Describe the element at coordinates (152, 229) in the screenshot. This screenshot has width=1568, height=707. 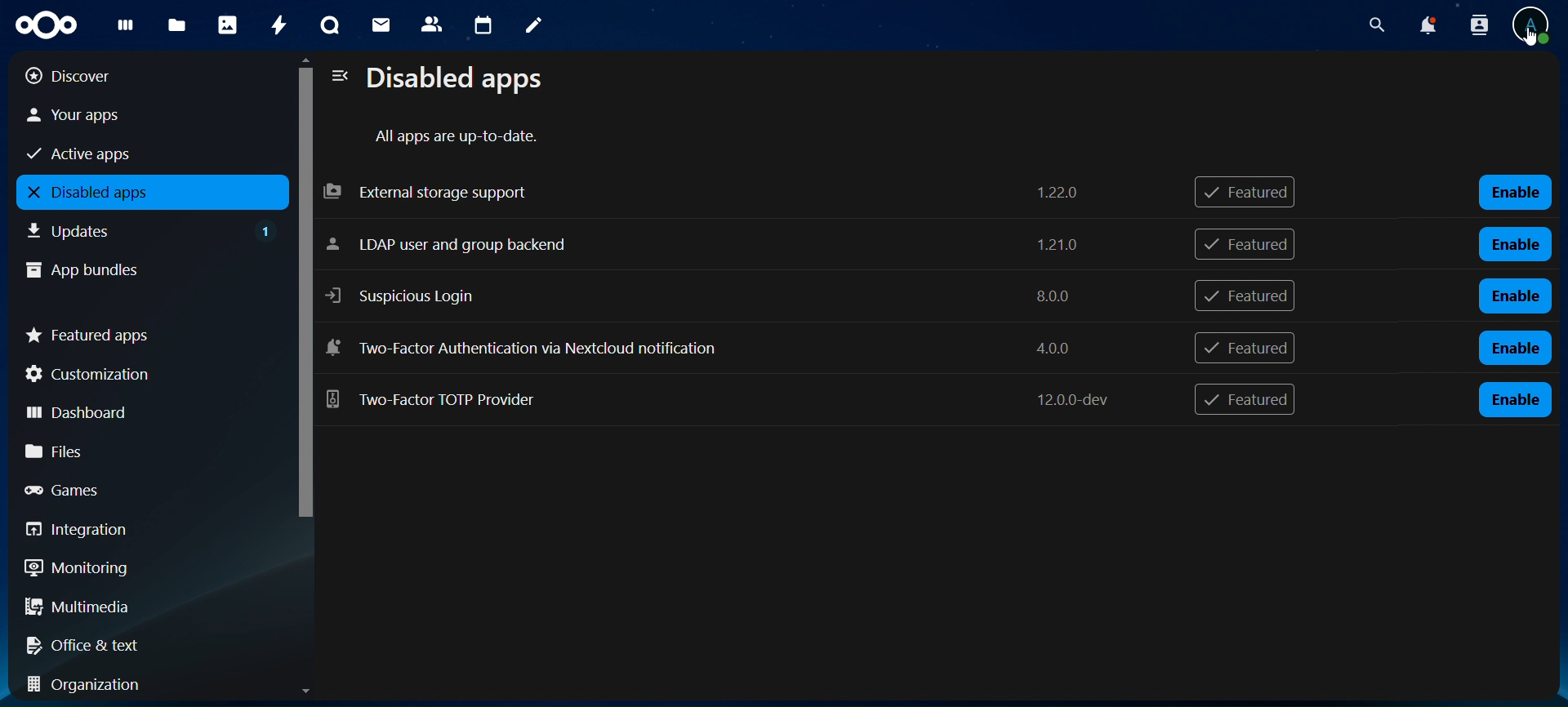
I see `updates` at that location.